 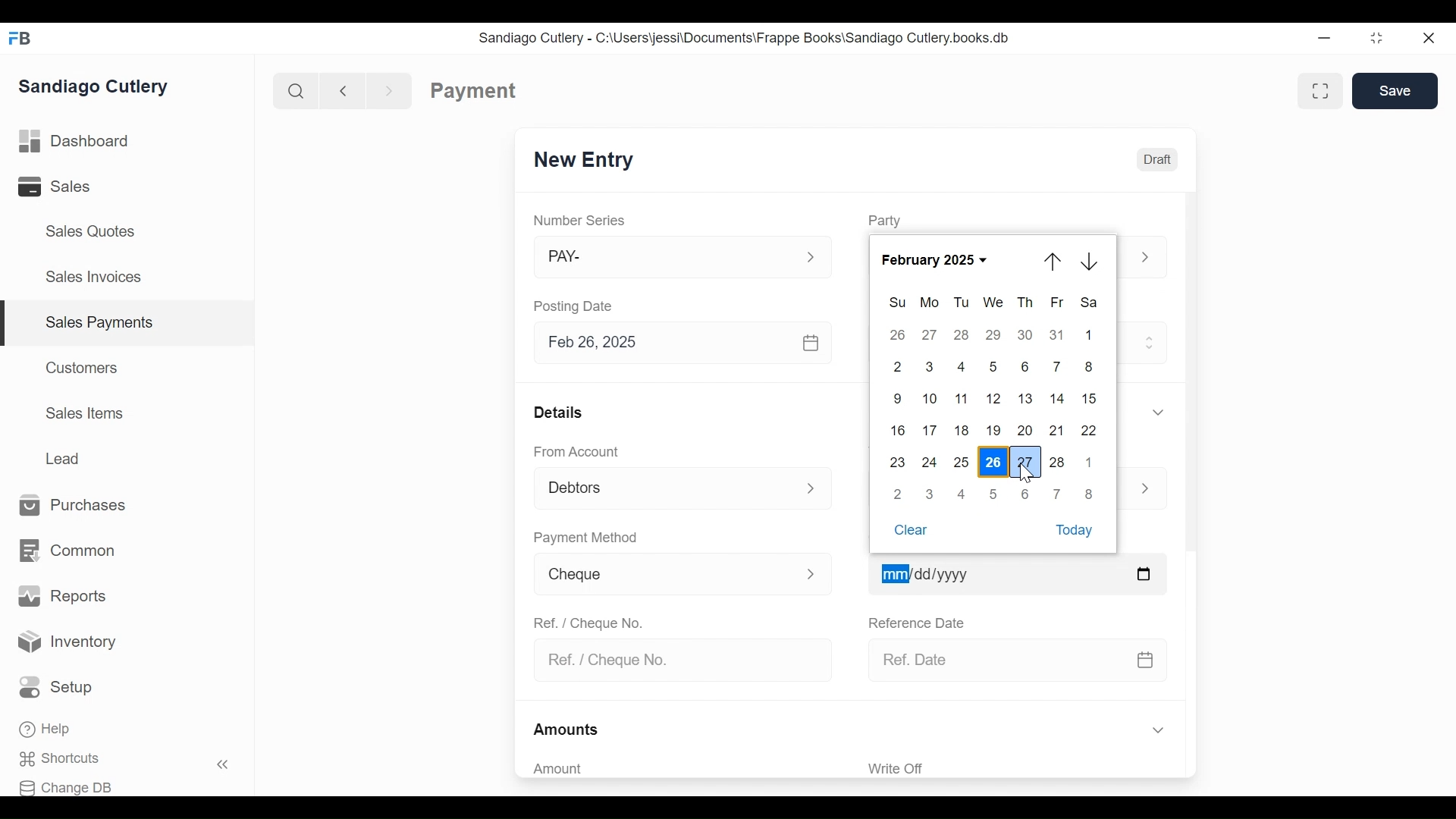 I want to click on Vertical Scroll bar, so click(x=1189, y=374).